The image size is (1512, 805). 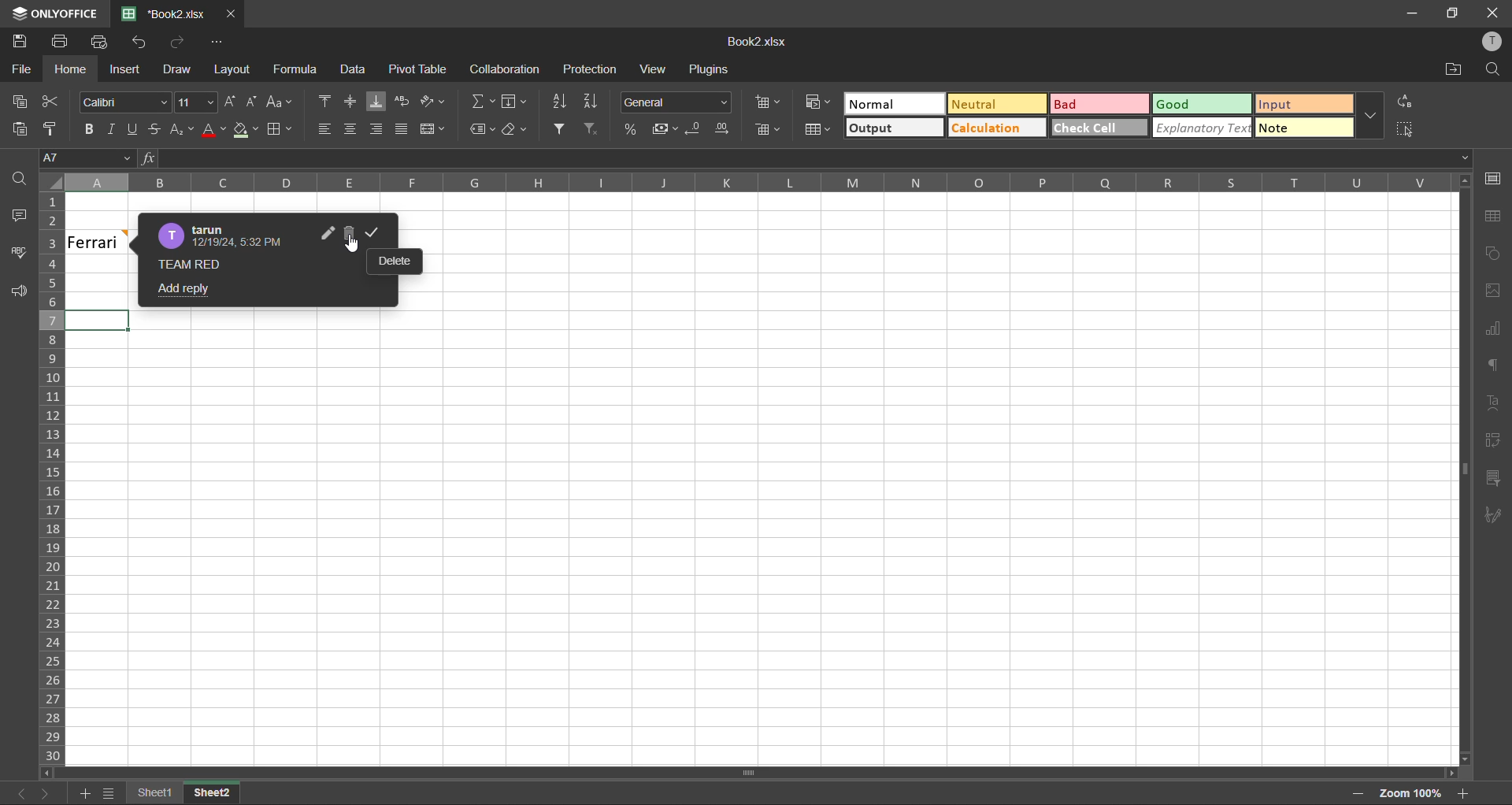 What do you see at coordinates (559, 102) in the screenshot?
I see `sort ascending` at bounding box center [559, 102].